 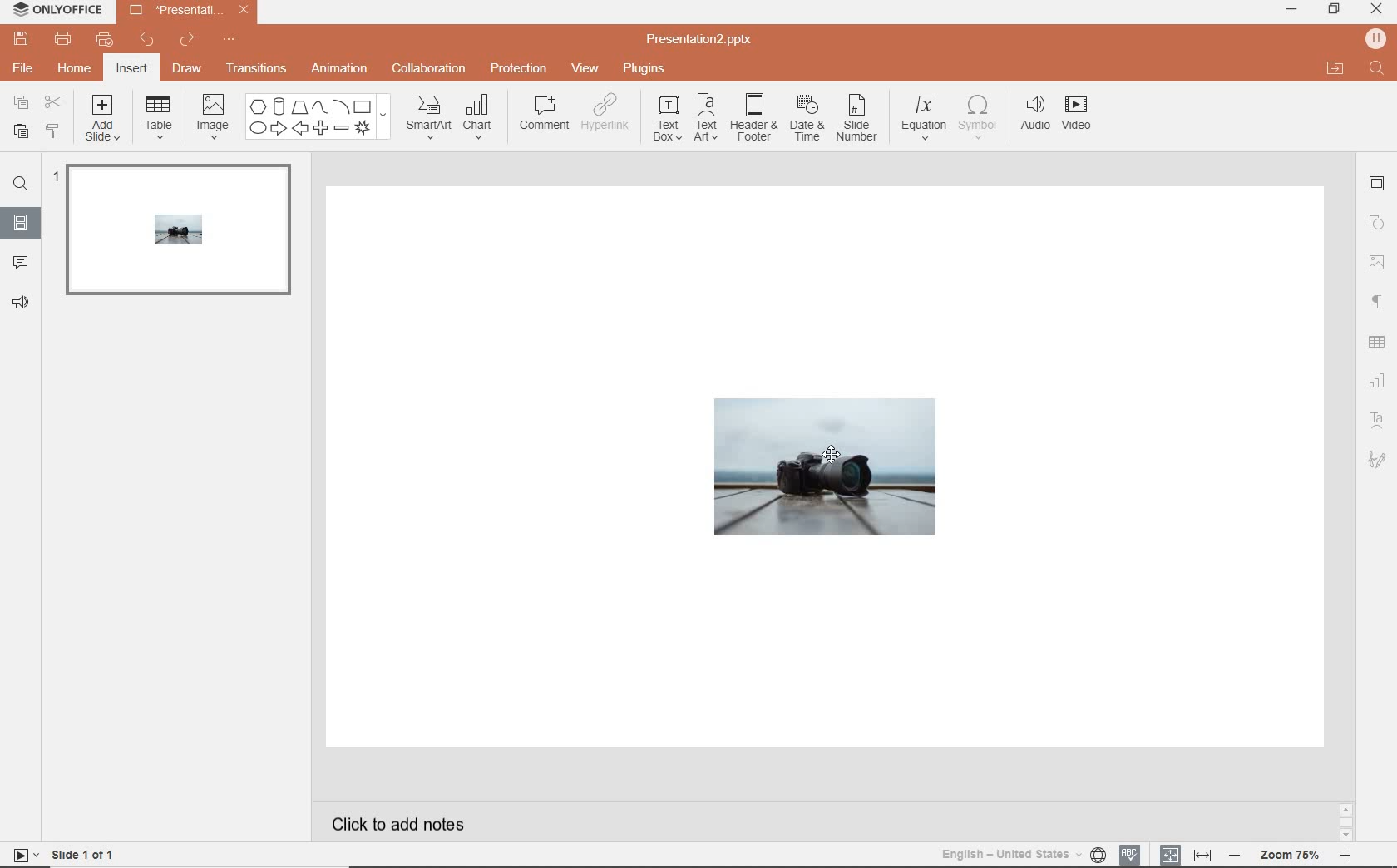 What do you see at coordinates (1076, 116) in the screenshot?
I see `videos` at bounding box center [1076, 116].